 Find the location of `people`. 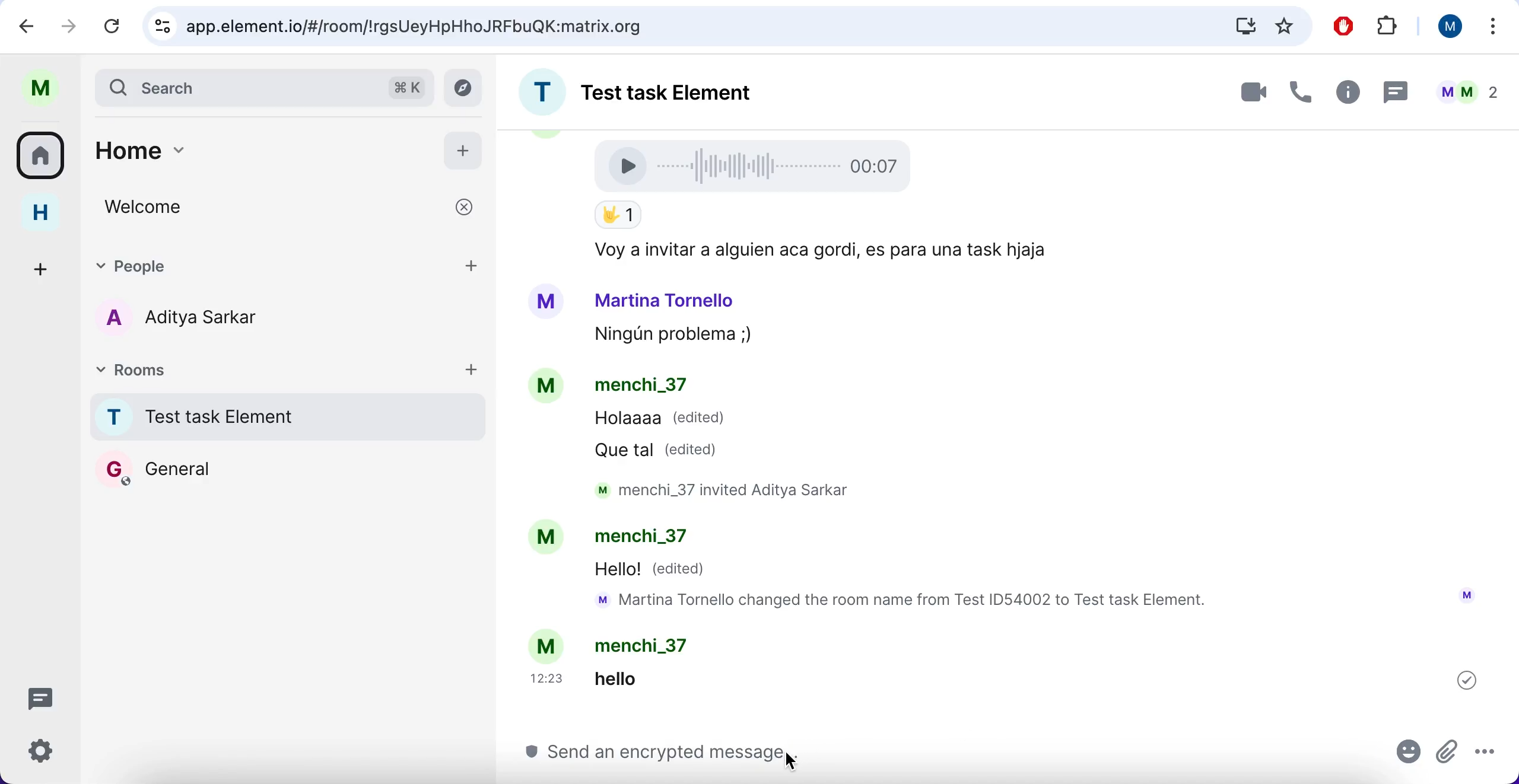

people is located at coordinates (1467, 92).